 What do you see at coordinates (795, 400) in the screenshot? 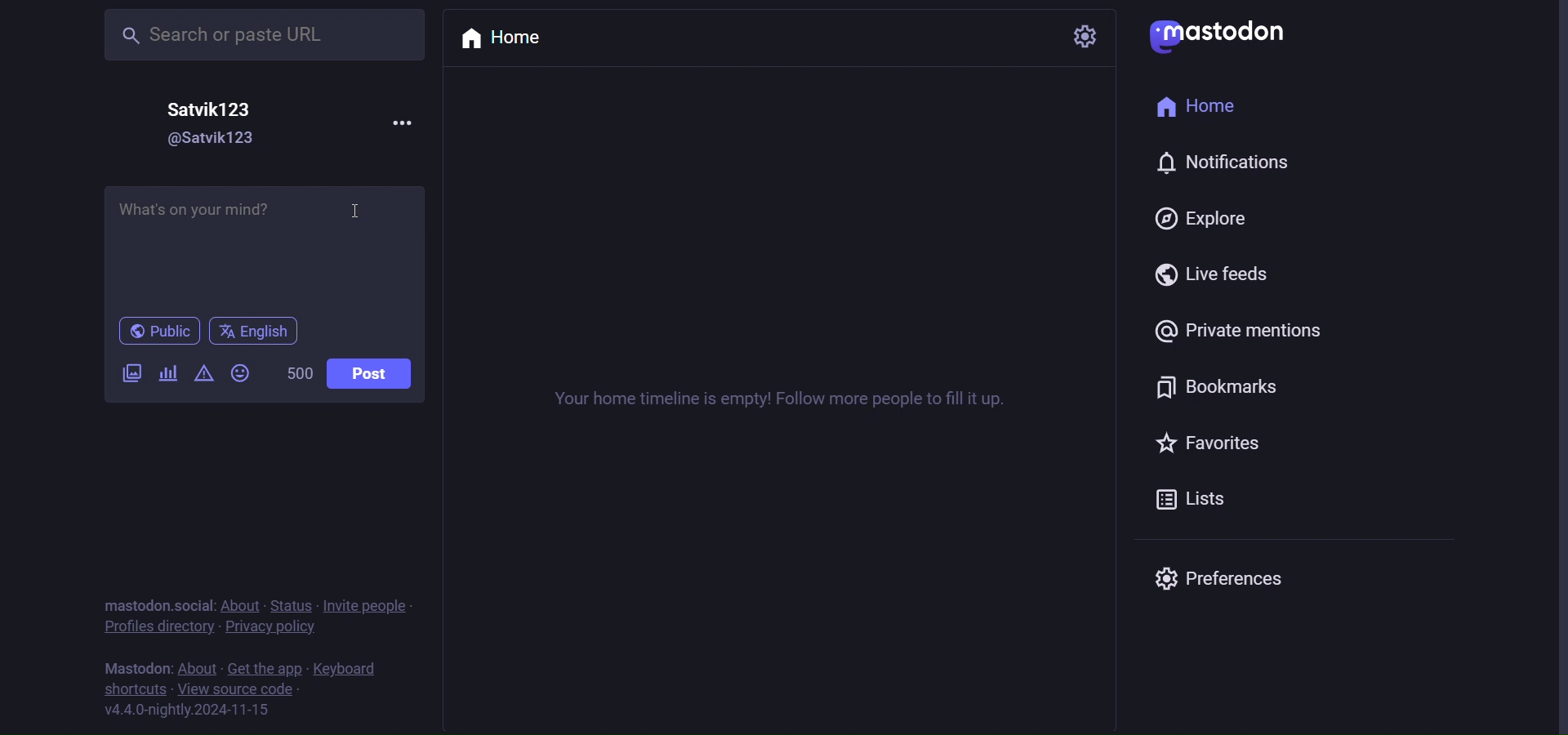
I see `instruction` at bounding box center [795, 400].